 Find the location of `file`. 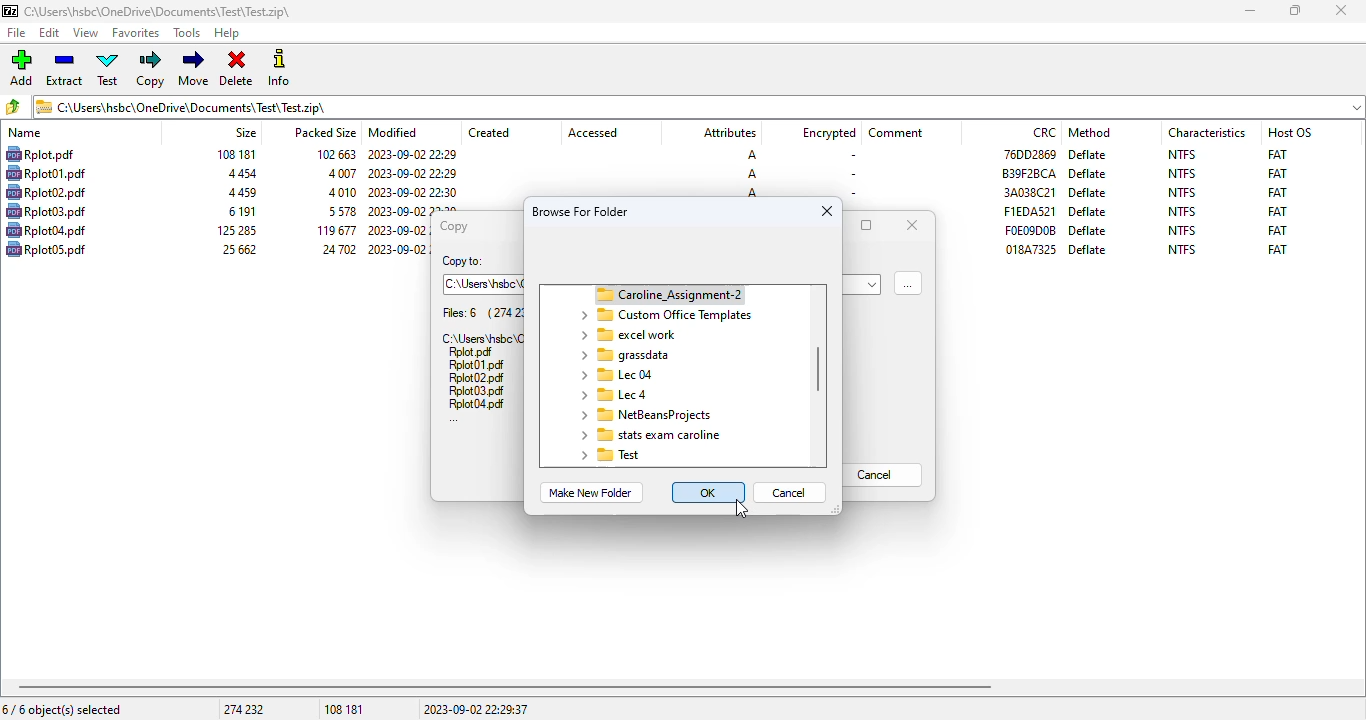

file is located at coordinates (477, 391).